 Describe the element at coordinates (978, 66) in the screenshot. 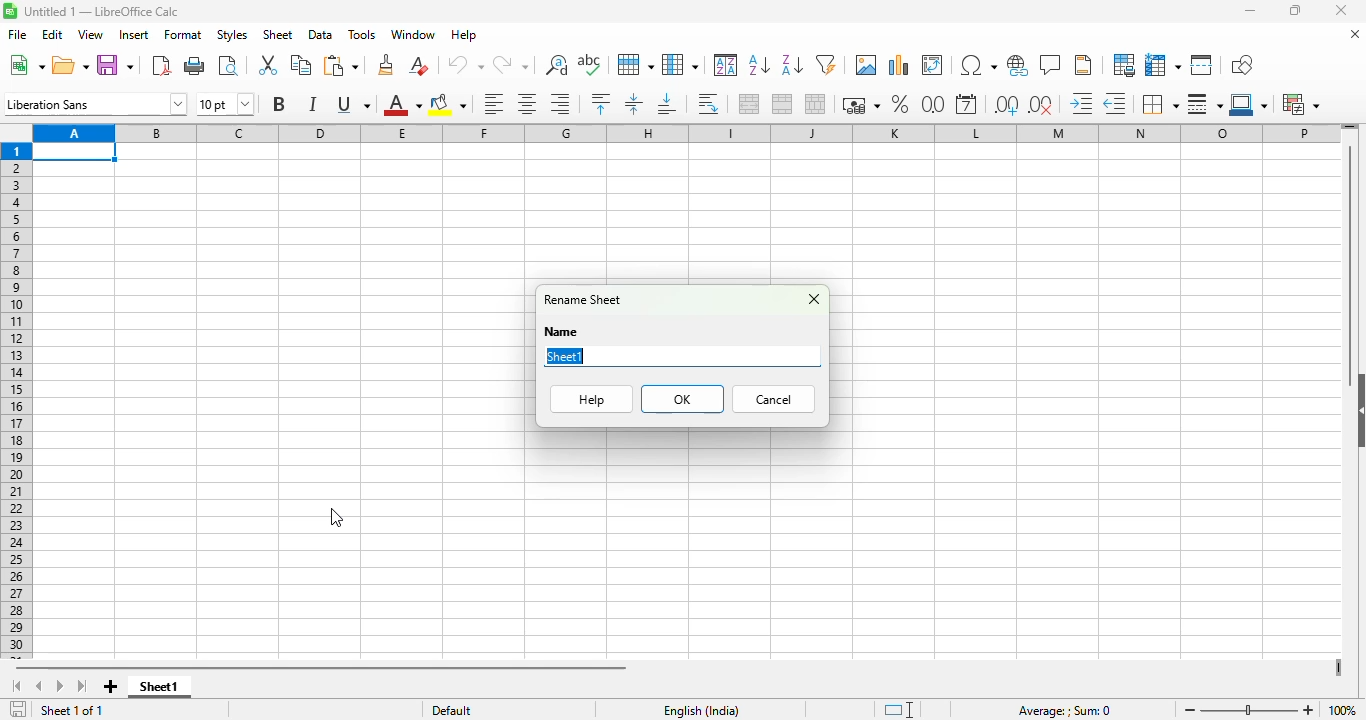

I see `insert special characters` at that location.